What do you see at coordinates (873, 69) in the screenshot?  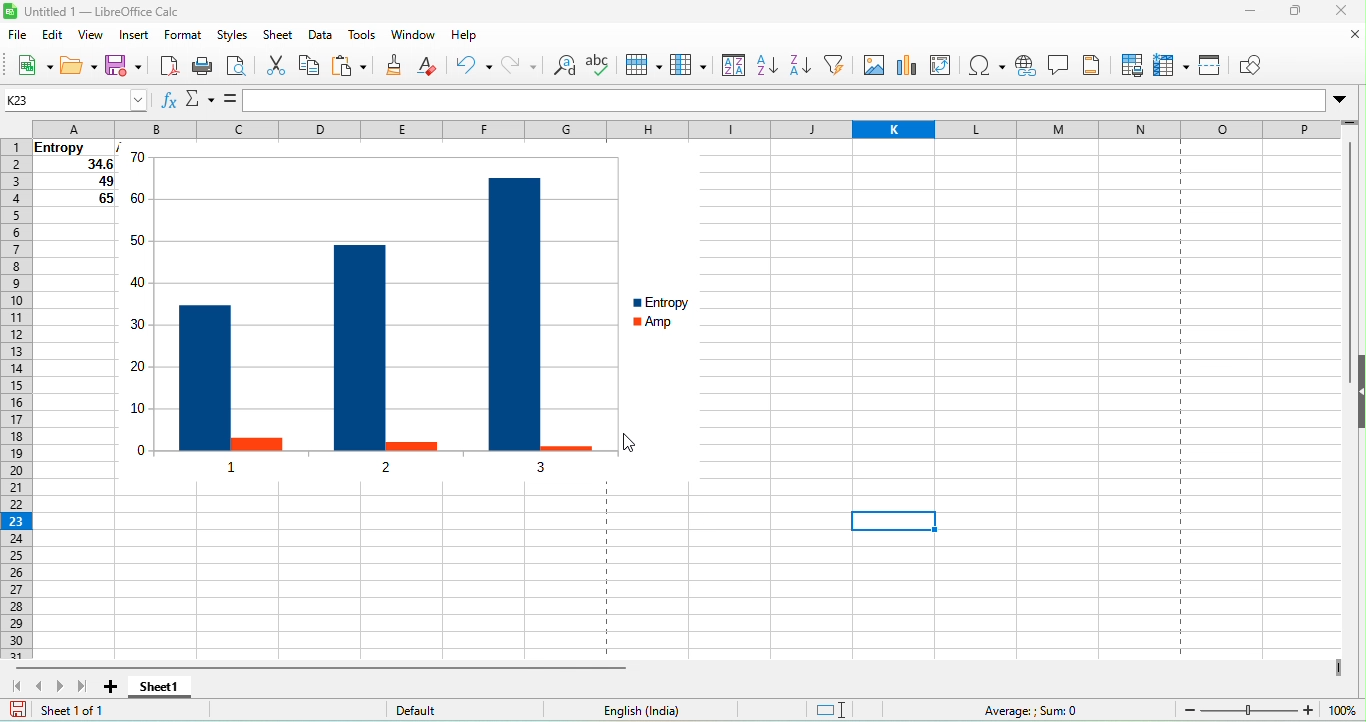 I see `image` at bounding box center [873, 69].